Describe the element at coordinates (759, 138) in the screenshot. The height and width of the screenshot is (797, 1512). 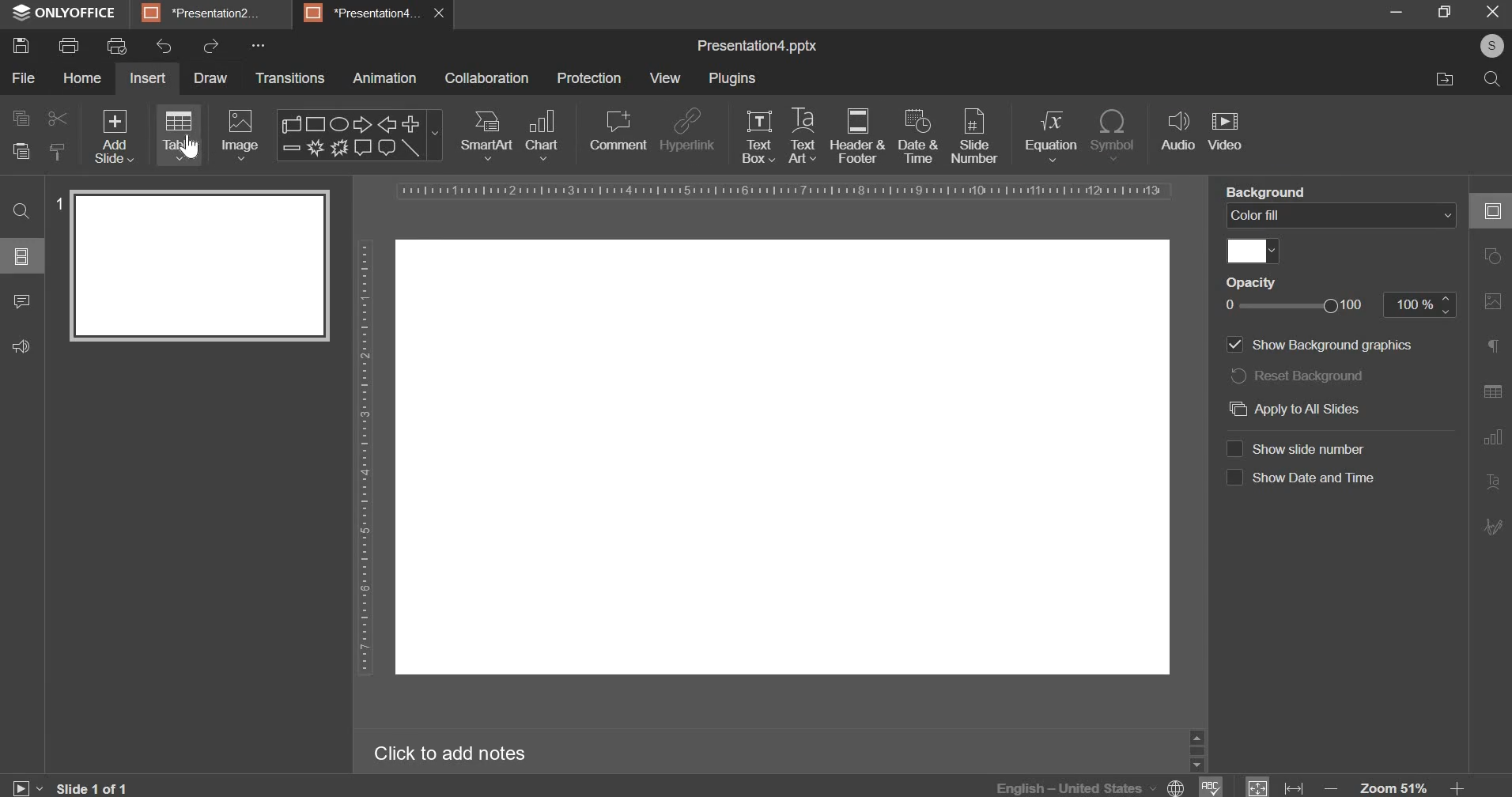
I see `text box` at that location.